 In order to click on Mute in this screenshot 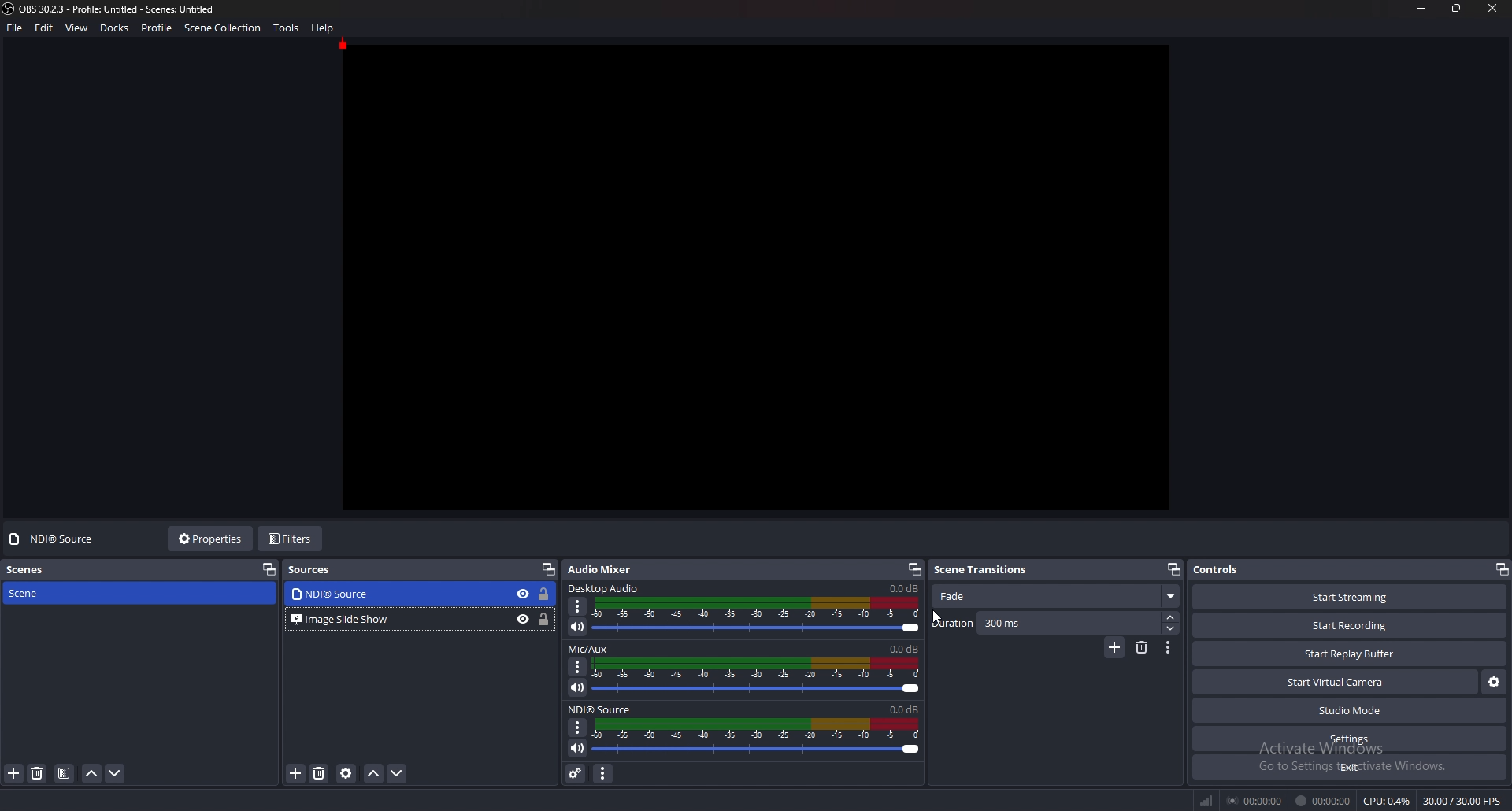, I will do `click(577, 750)`.